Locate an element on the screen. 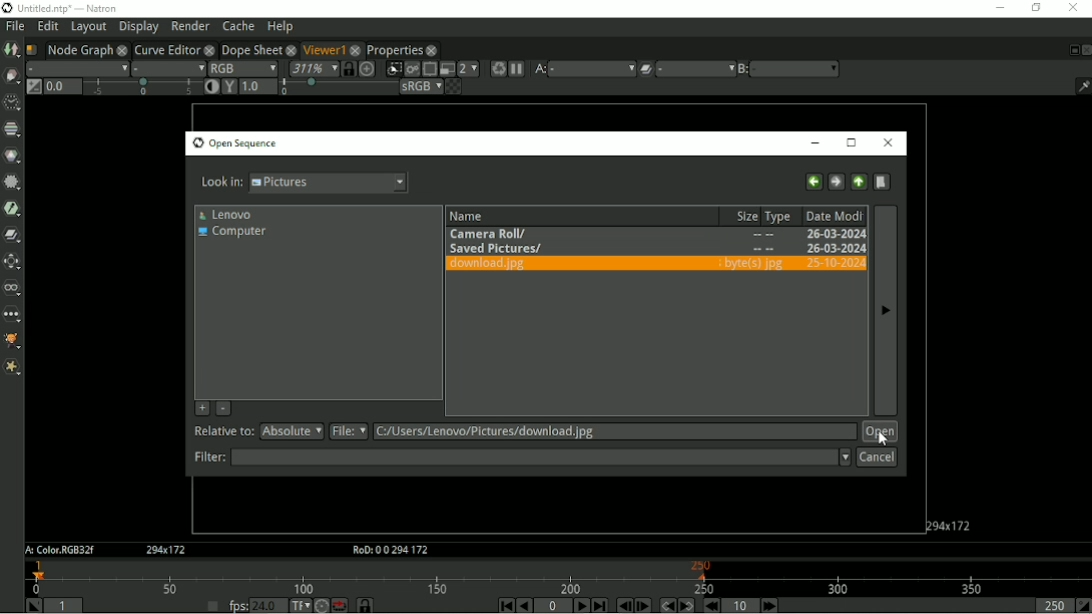 Image resolution: width=1092 pixels, height=614 pixels. close is located at coordinates (432, 50).